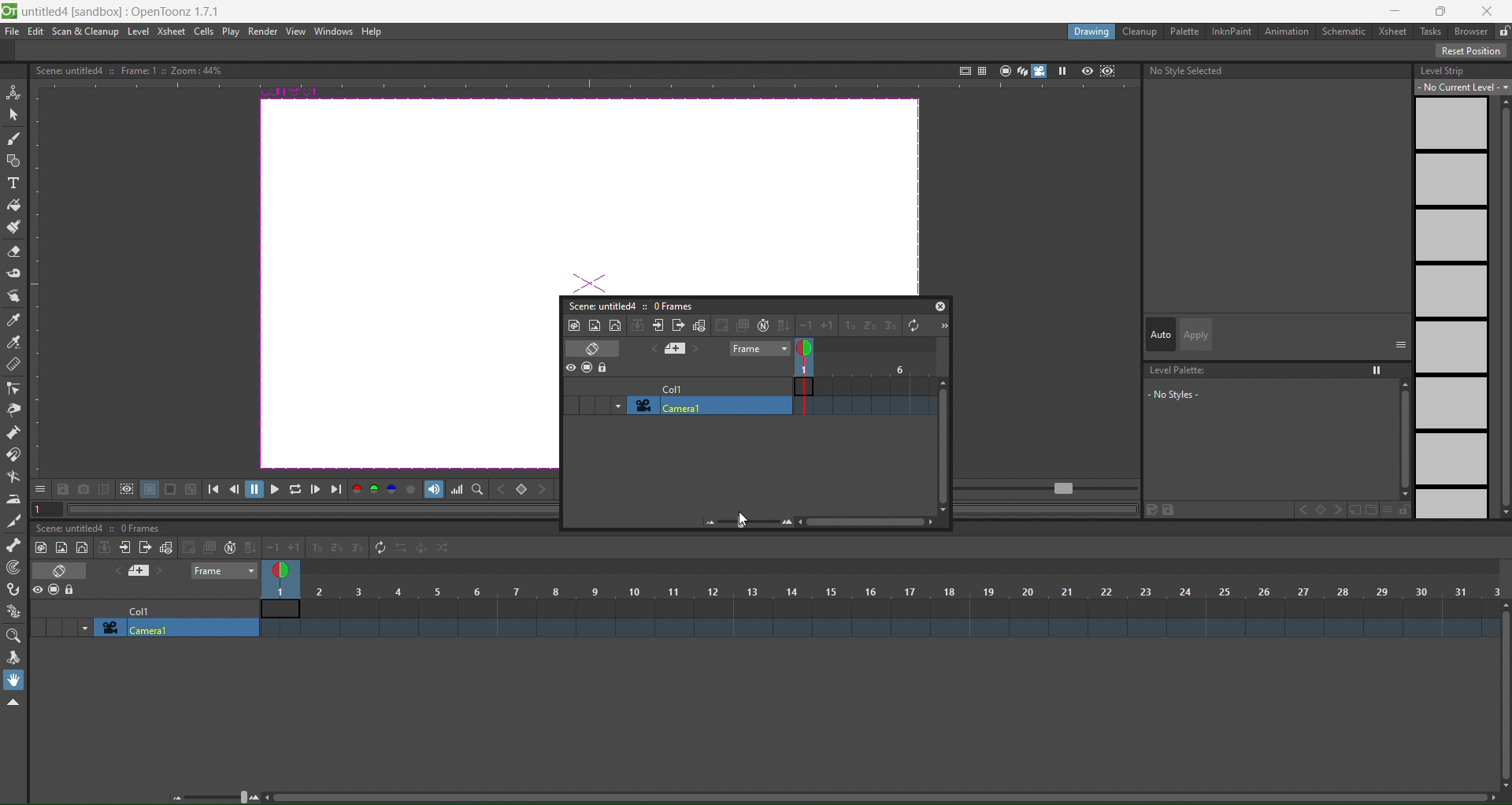 The width and height of the screenshot is (1512, 805). What do you see at coordinates (739, 520) in the screenshot?
I see `cursor` at bounding box center [739, 520].